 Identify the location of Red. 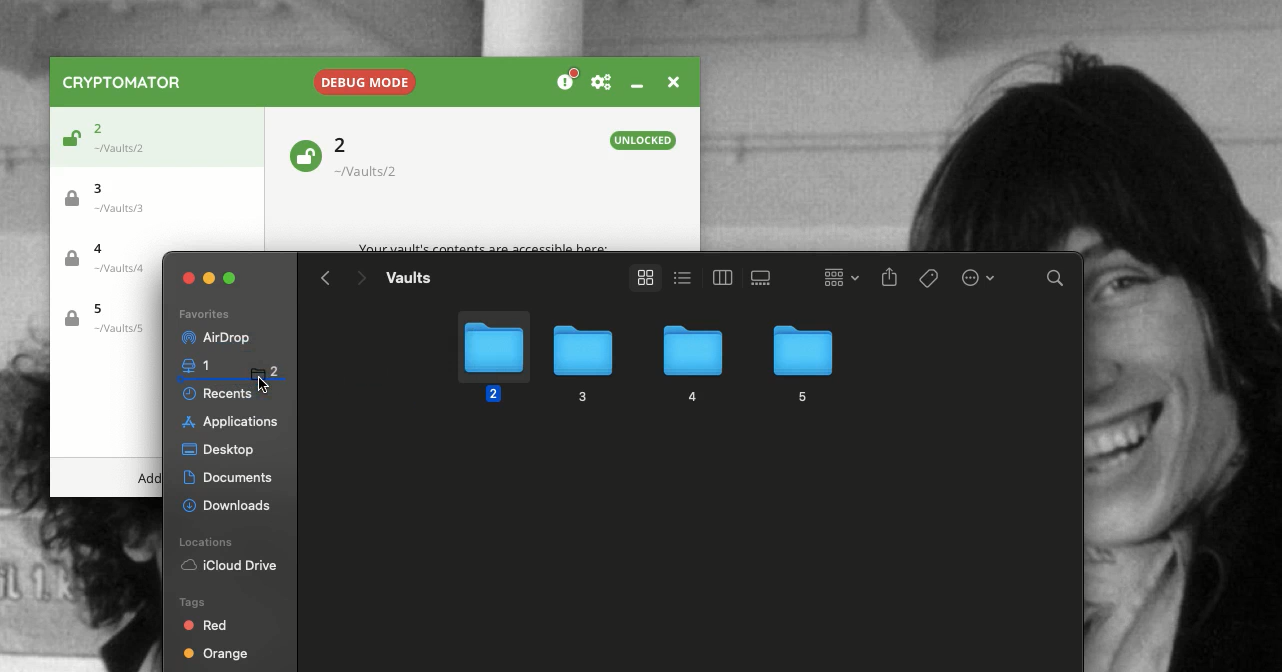
(207, 625).